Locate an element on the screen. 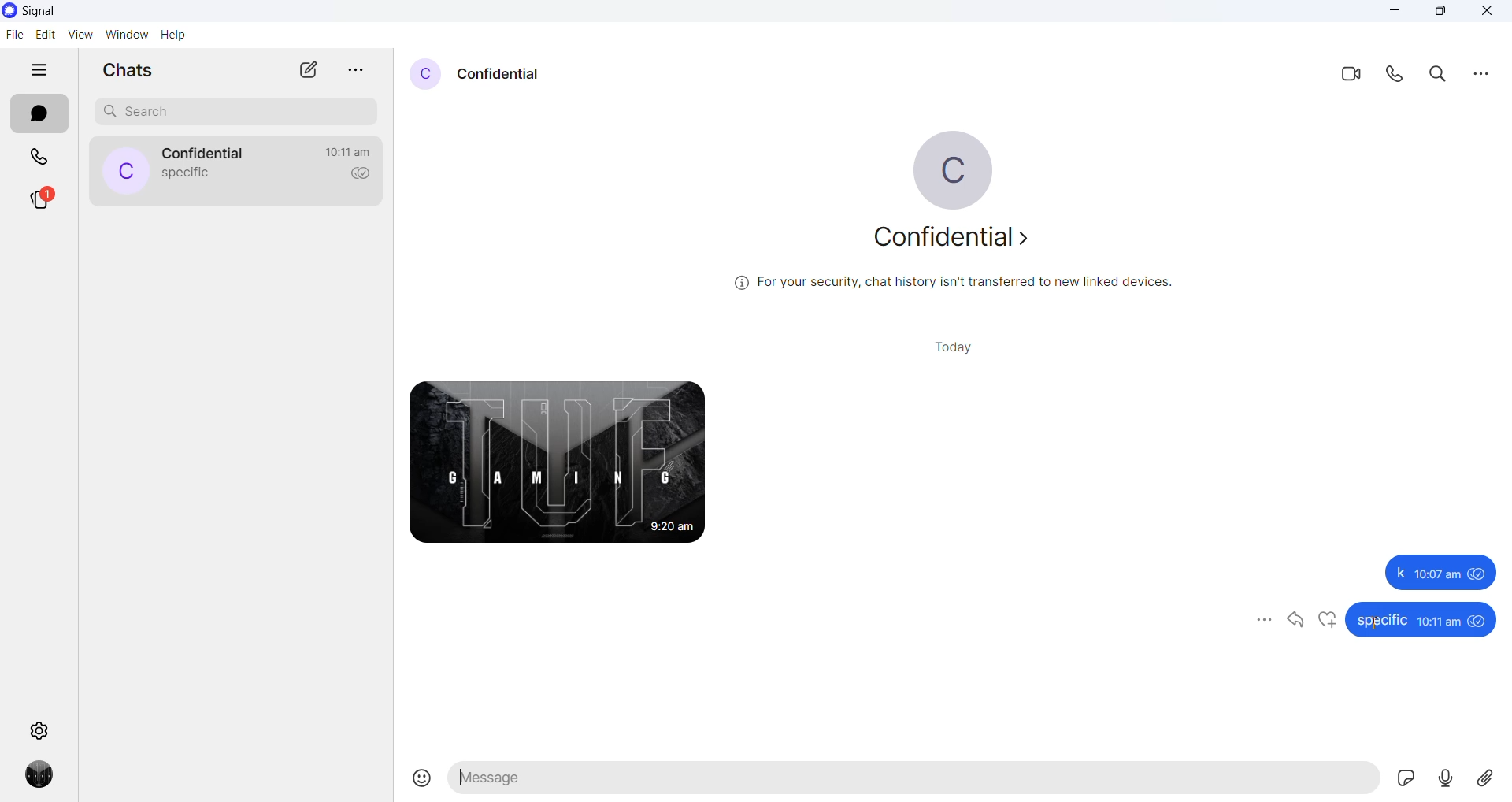 The height and width of the screenshot is (802, 1512). like is located at coordinates (1329, 619).